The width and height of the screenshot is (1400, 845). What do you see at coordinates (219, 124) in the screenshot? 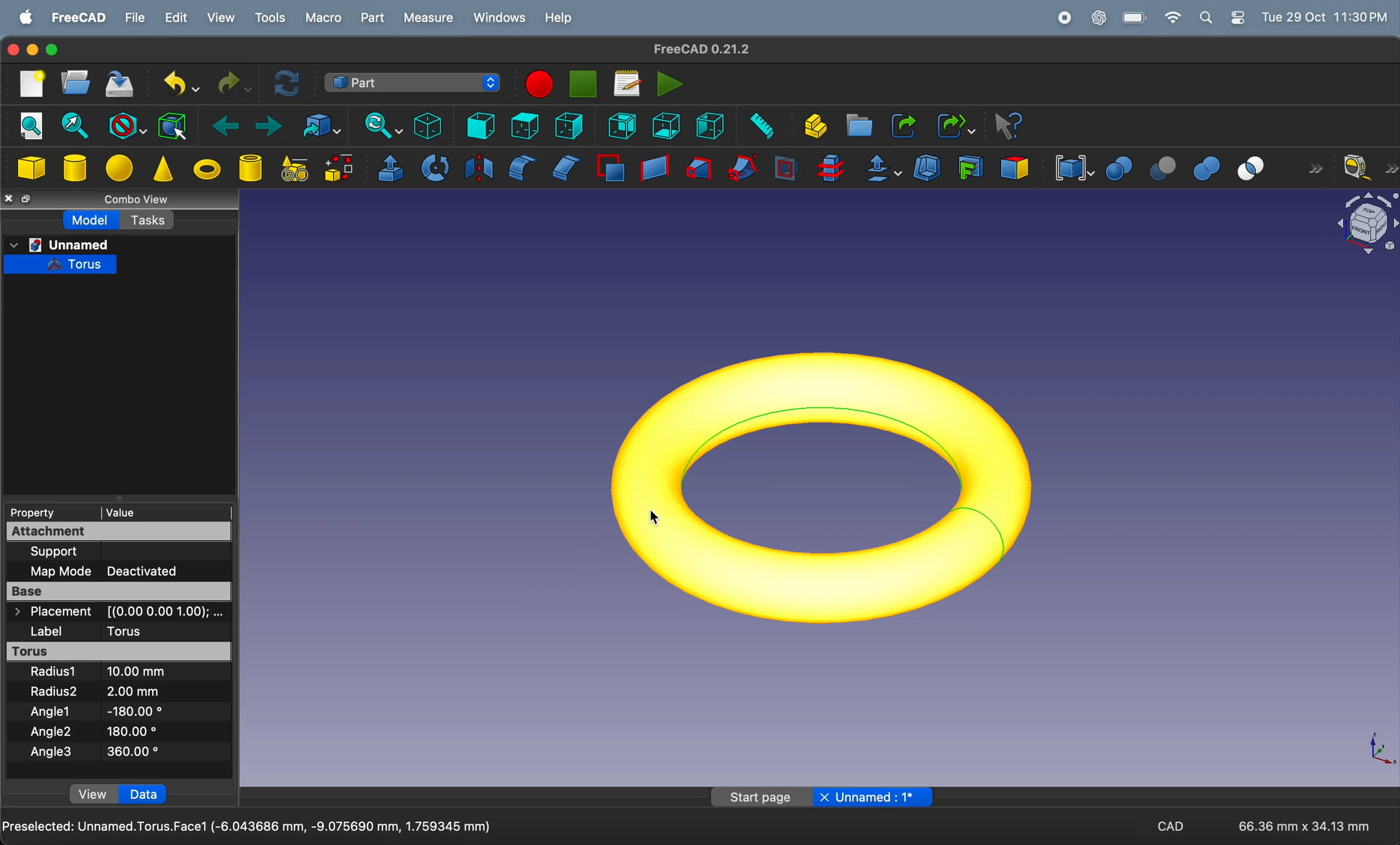
I see `backward` at bounding box center [219, 124].